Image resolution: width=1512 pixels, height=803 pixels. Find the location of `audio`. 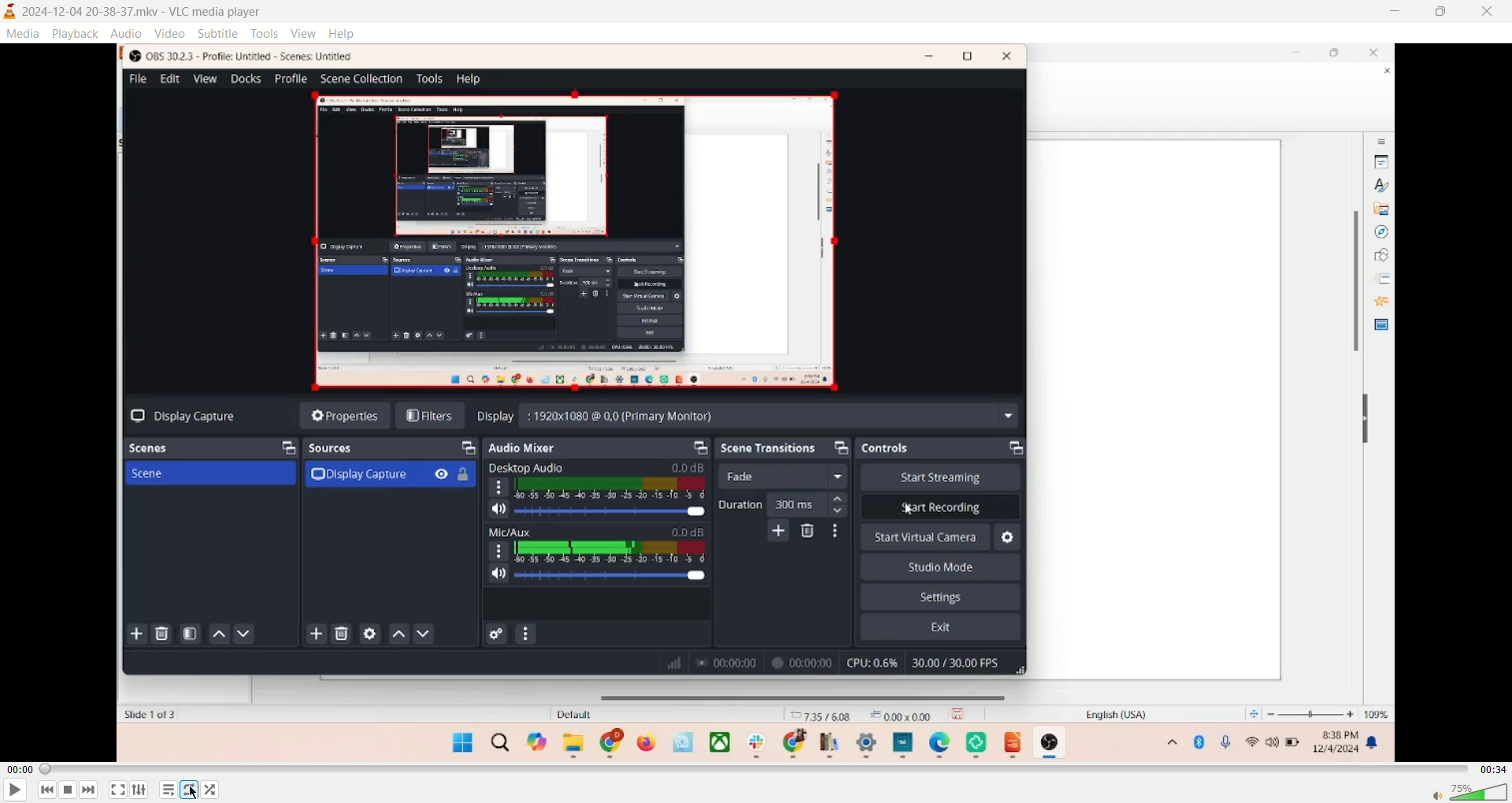

audio is located at coordinates (125, 33).